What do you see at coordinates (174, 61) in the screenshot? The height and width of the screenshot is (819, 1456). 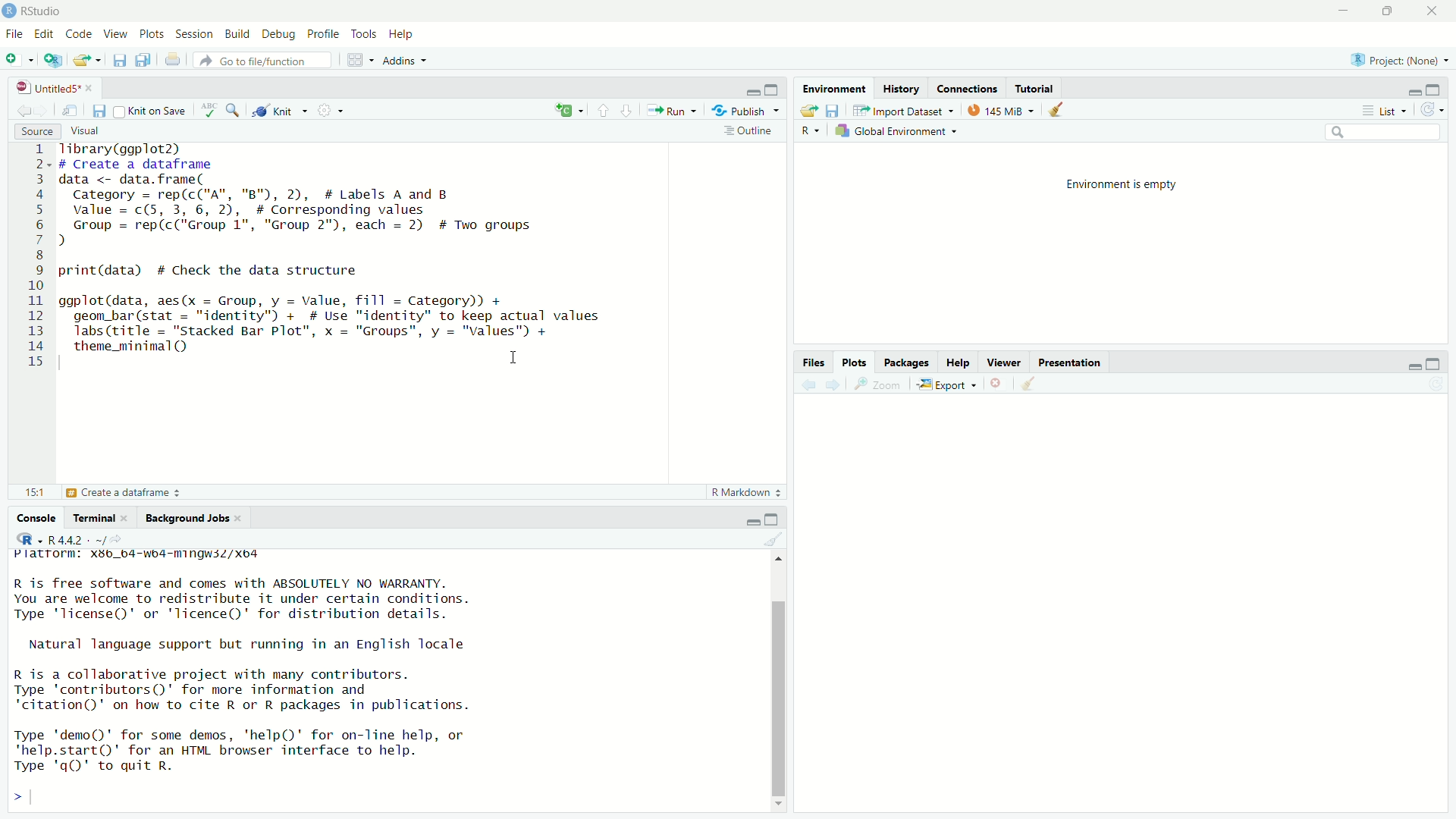 I see `Print the current file` at bounding box center [174, 61].